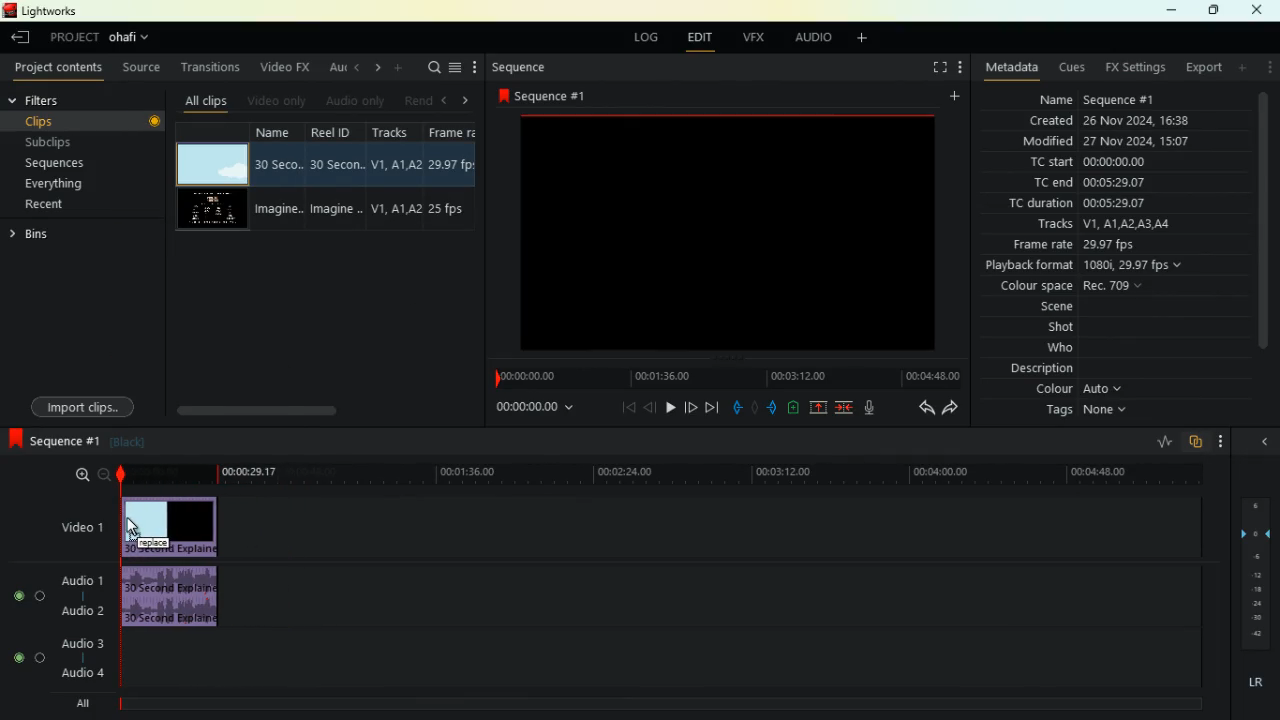  I want to click on name, so click(1058, 101).